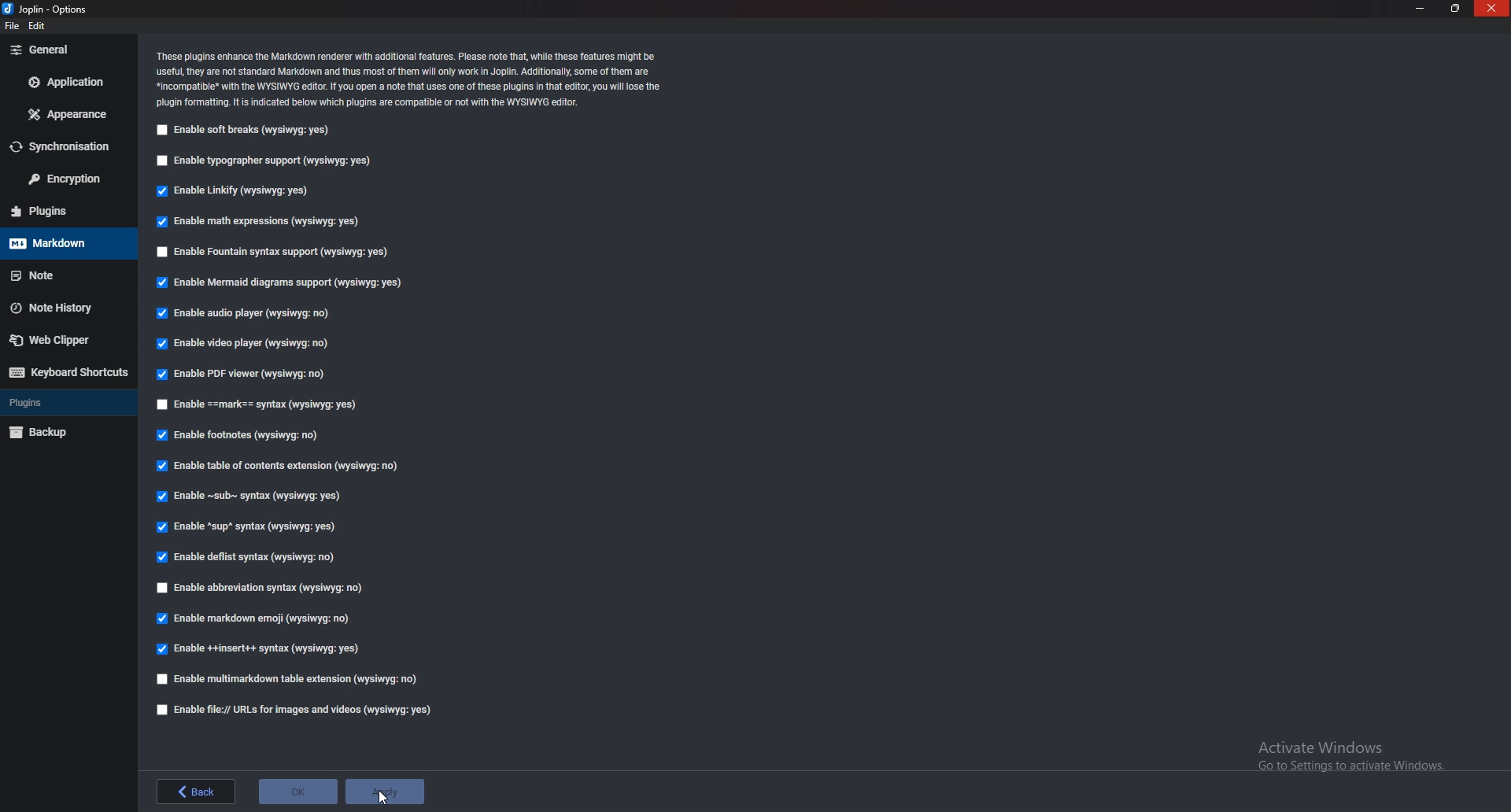  Describe the element at coordinates (58, 306) in the screenshot. I see `Note history` at that location.